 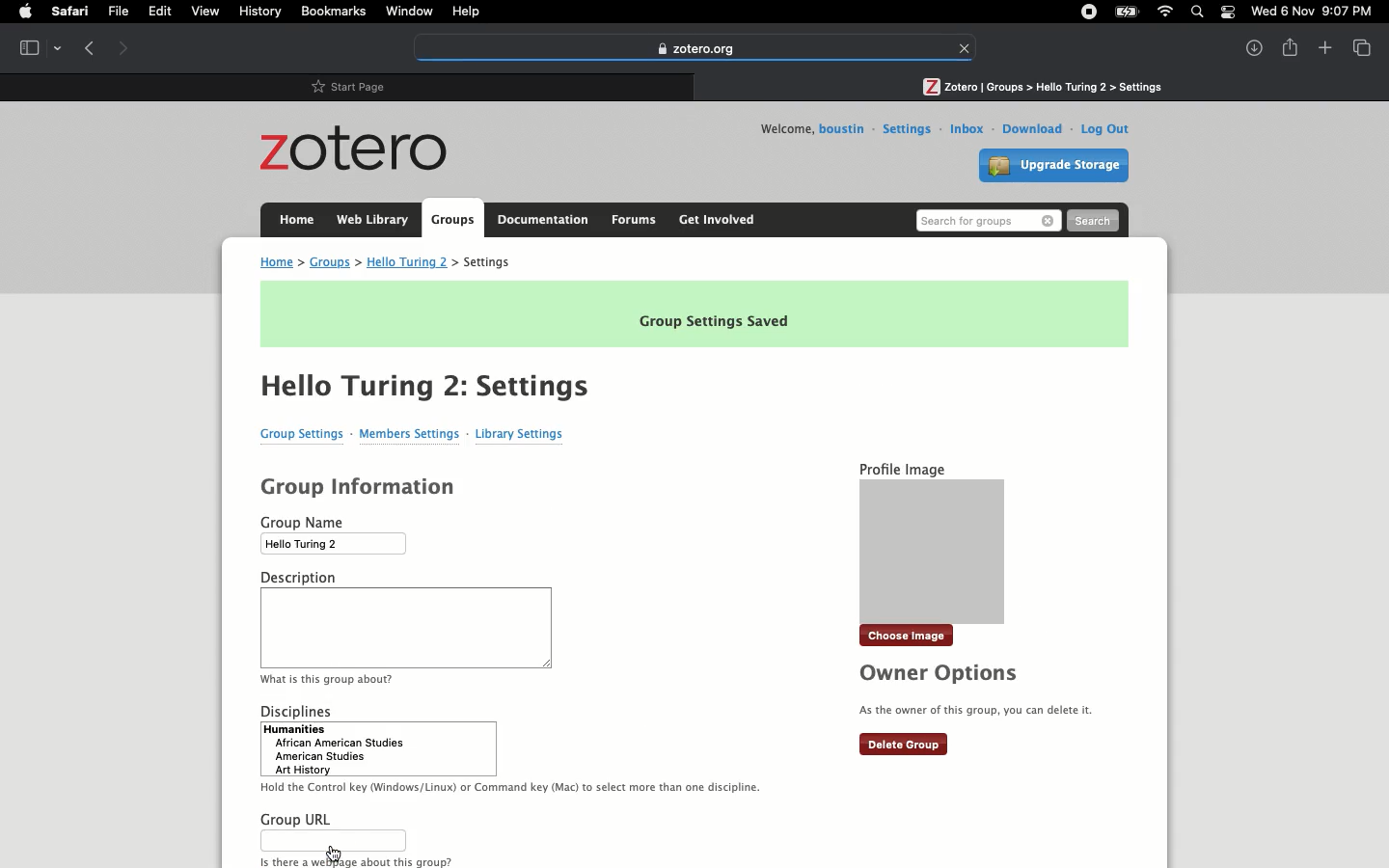 I want to click on Inbox, so click(x=967, y=127).